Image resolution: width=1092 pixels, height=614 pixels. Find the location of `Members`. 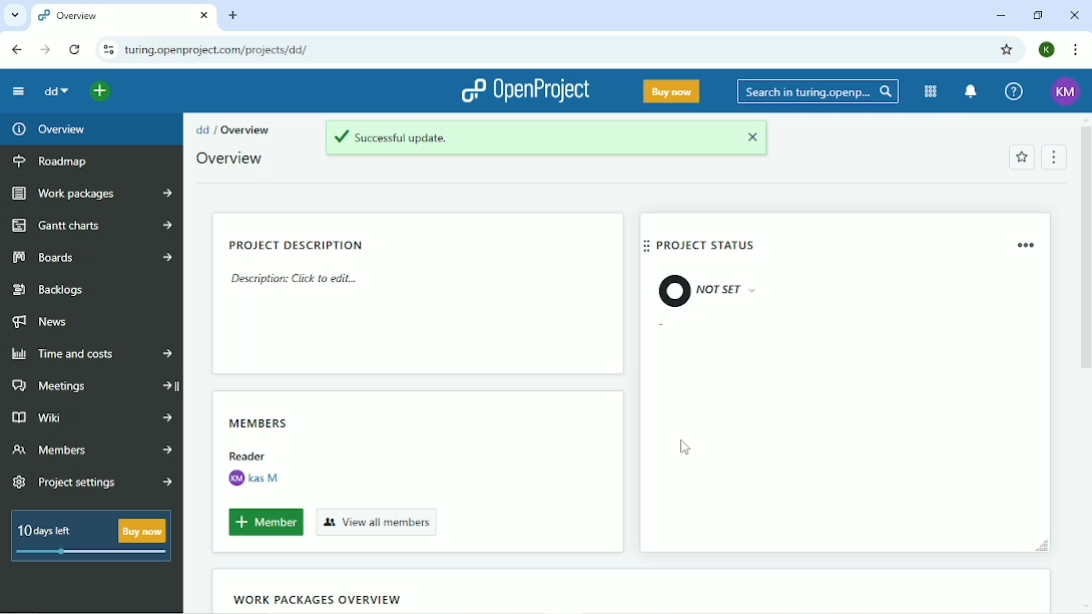

Members is located at coordinates (264, 421).